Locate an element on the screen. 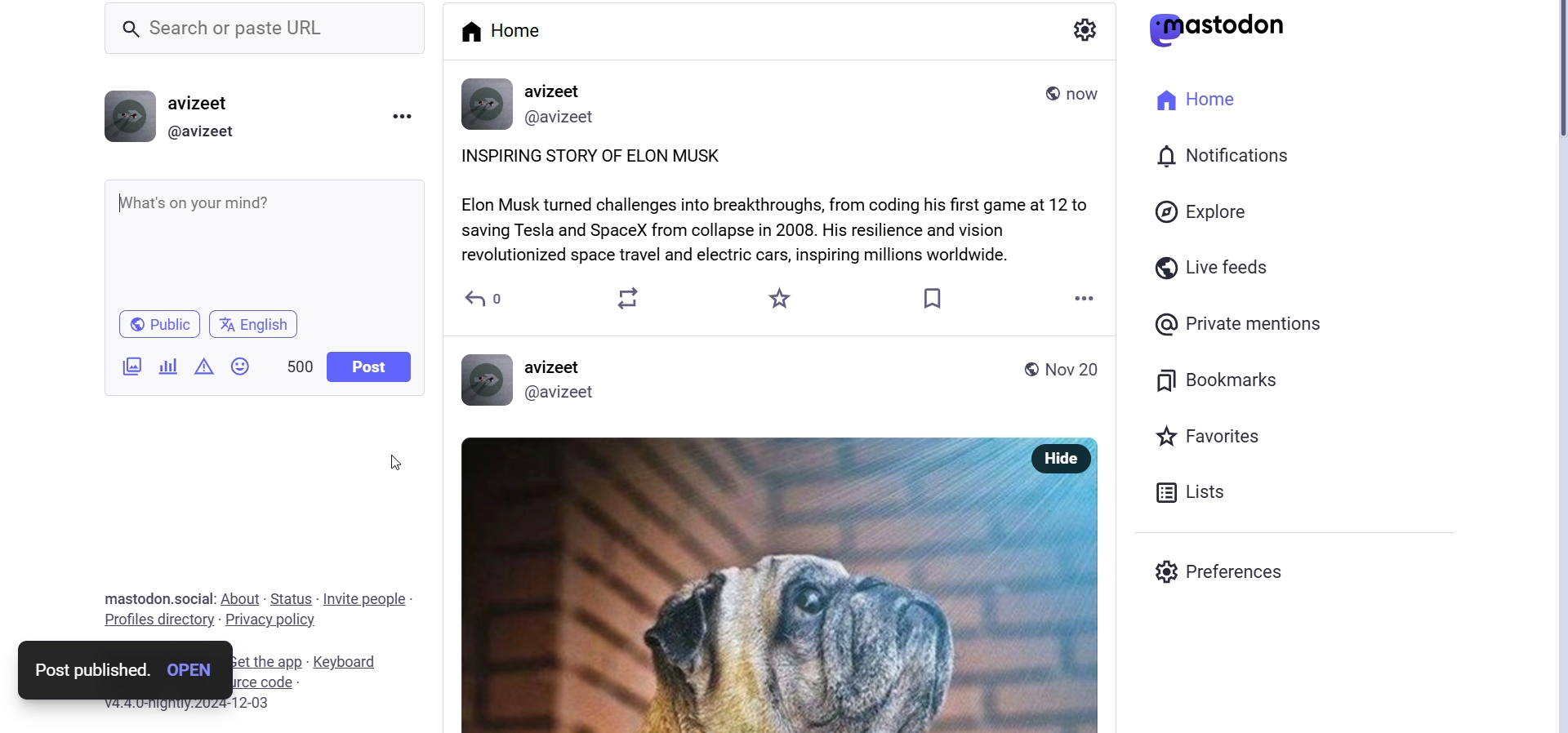  @avizeet is located at coordinates (565, 118).